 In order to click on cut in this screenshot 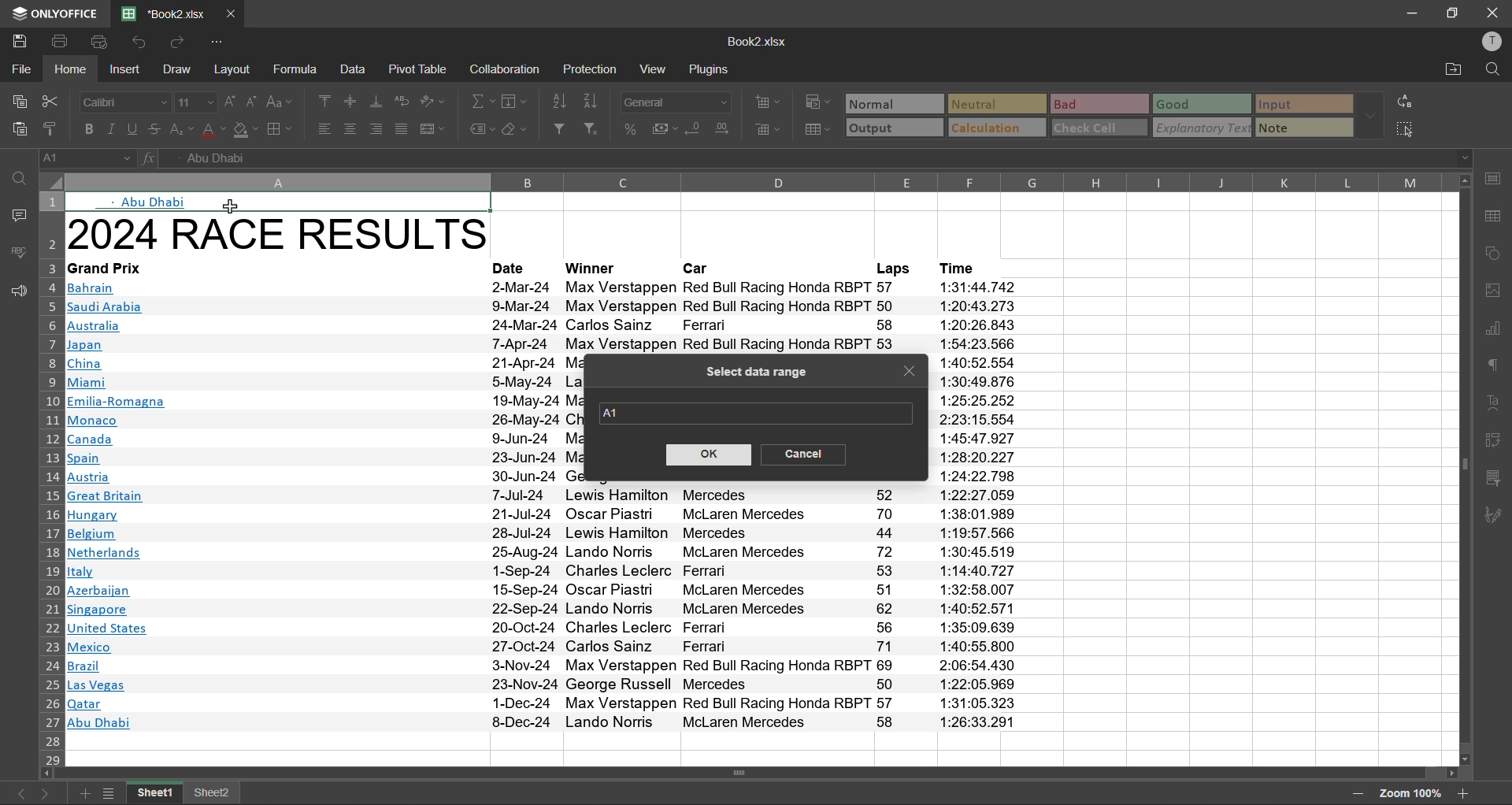, I will do `click(50, 101)`.